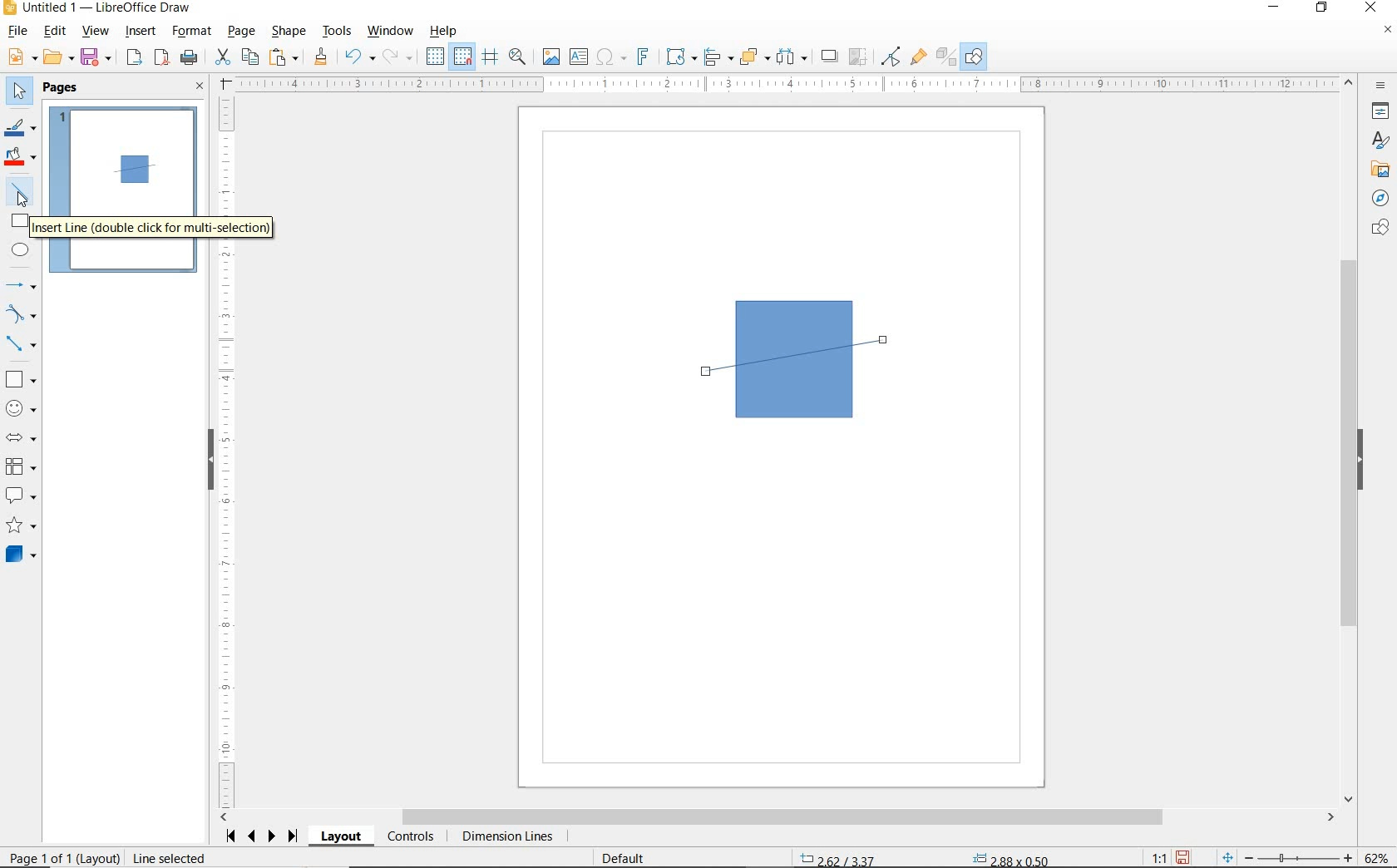 The height and width of the screenshot is (868, 1397). Describe the element at coordinates (21, 526) in the screenshot. I see `STARS AND BANNERS` at that location.